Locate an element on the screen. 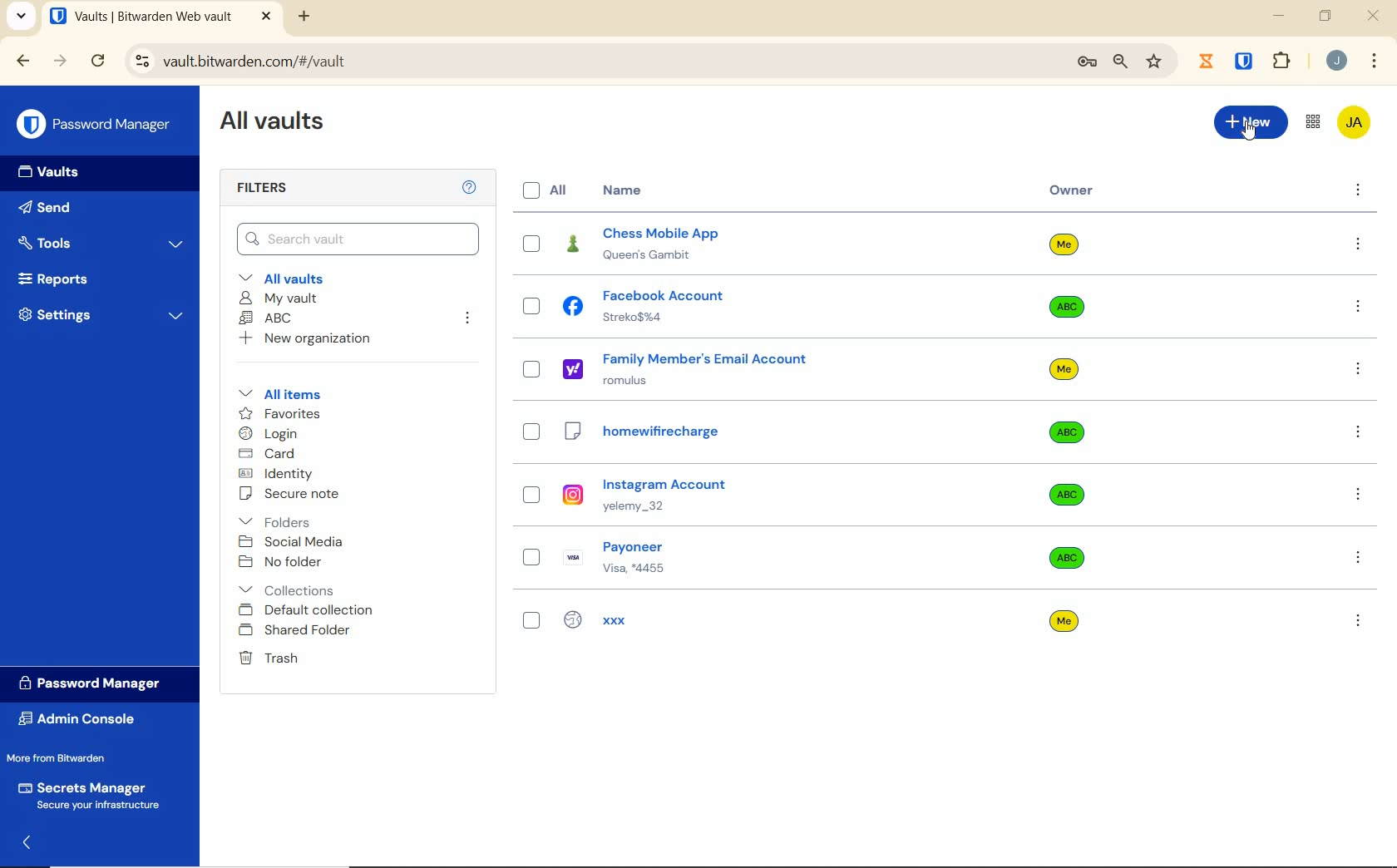 This screenshot has height=868, width=1397. more options is located at coordinates (1357, 308).